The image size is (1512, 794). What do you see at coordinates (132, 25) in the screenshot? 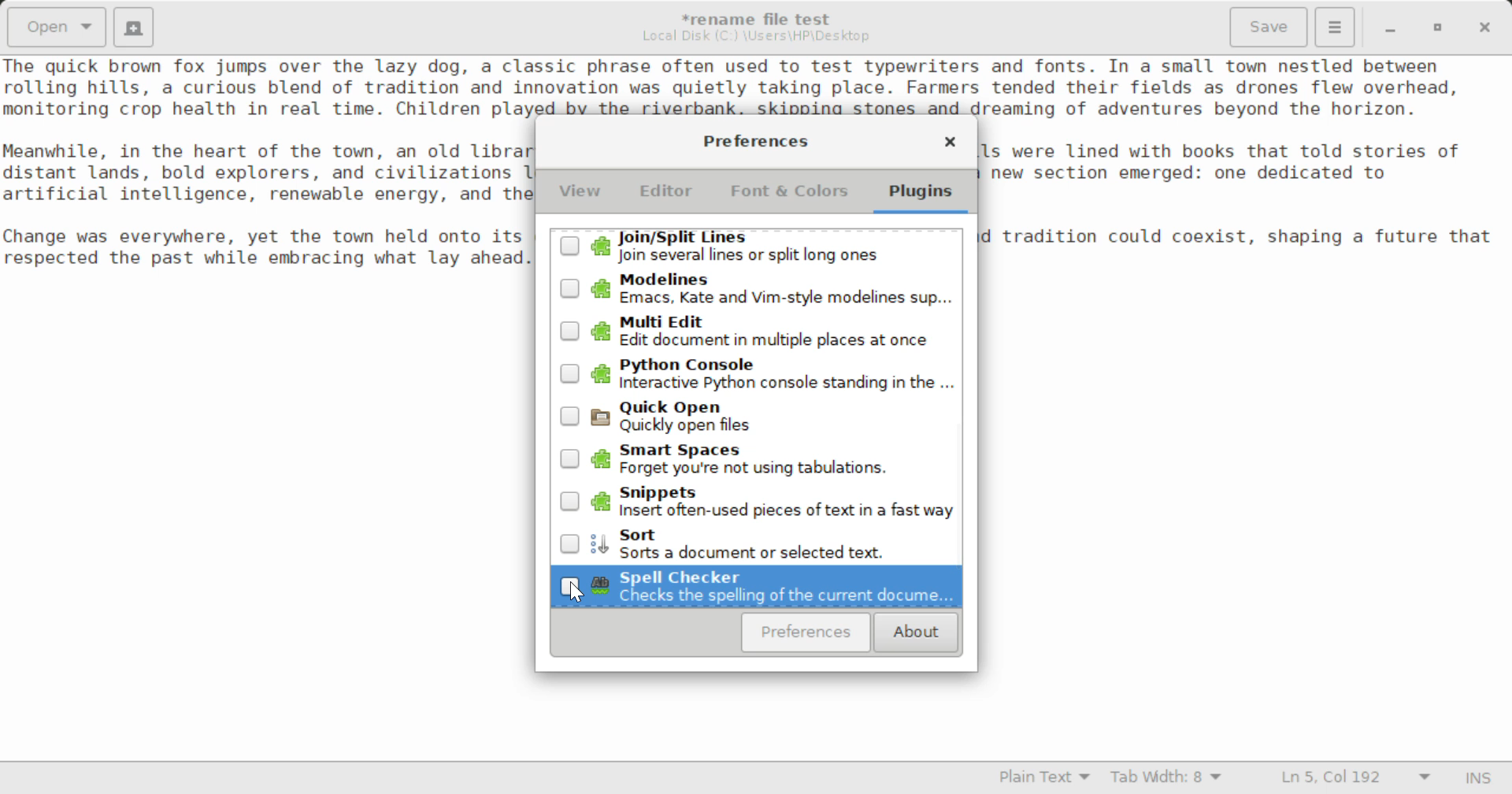
I see `Create New Document` at bounding box center [132, 25].